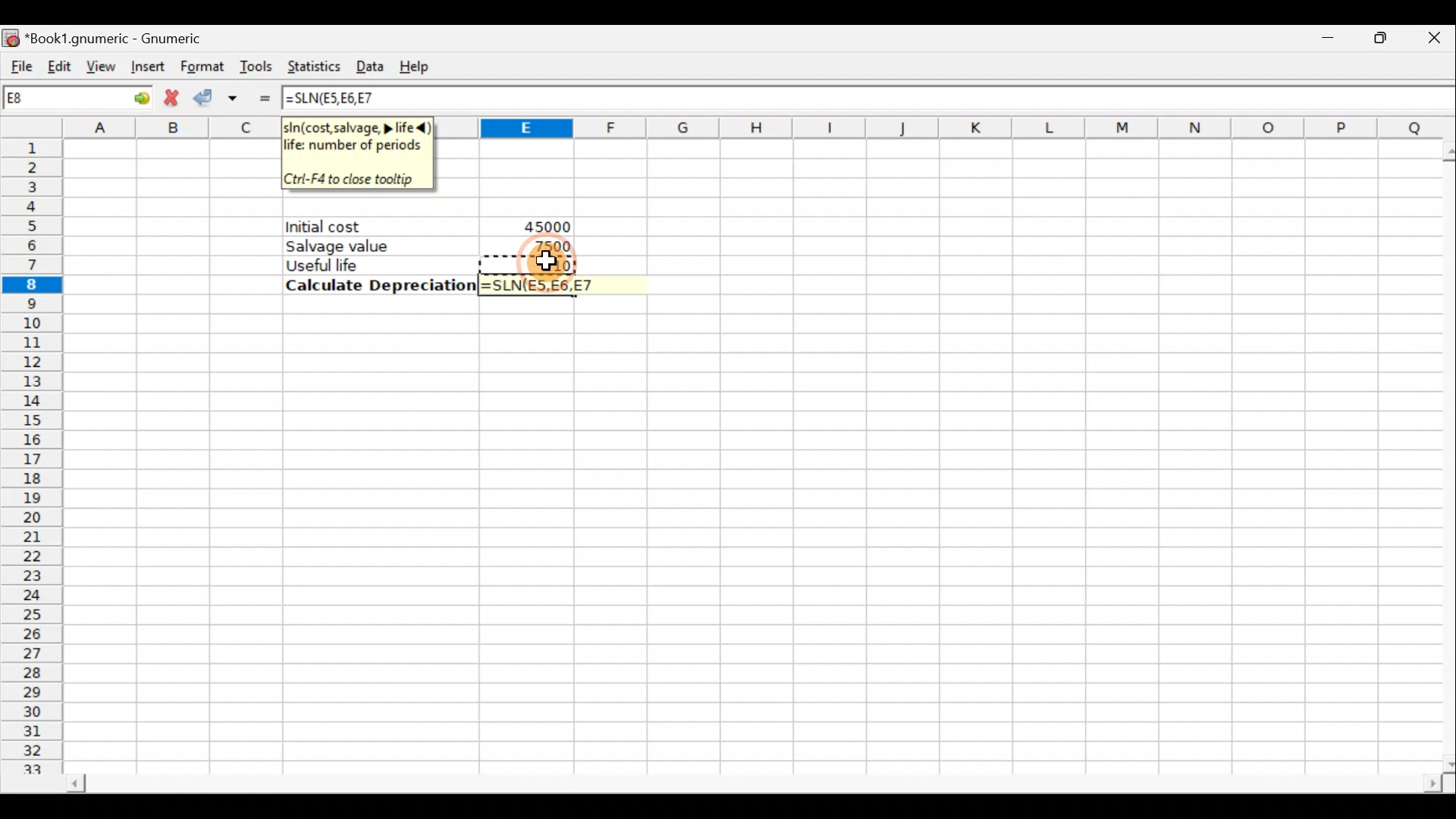 The height and width of the screenshot is (819, 1456). What do you see at coordinates (146, 67) in the screenshot?
I see `Insert` at bounding box center [146, 67].